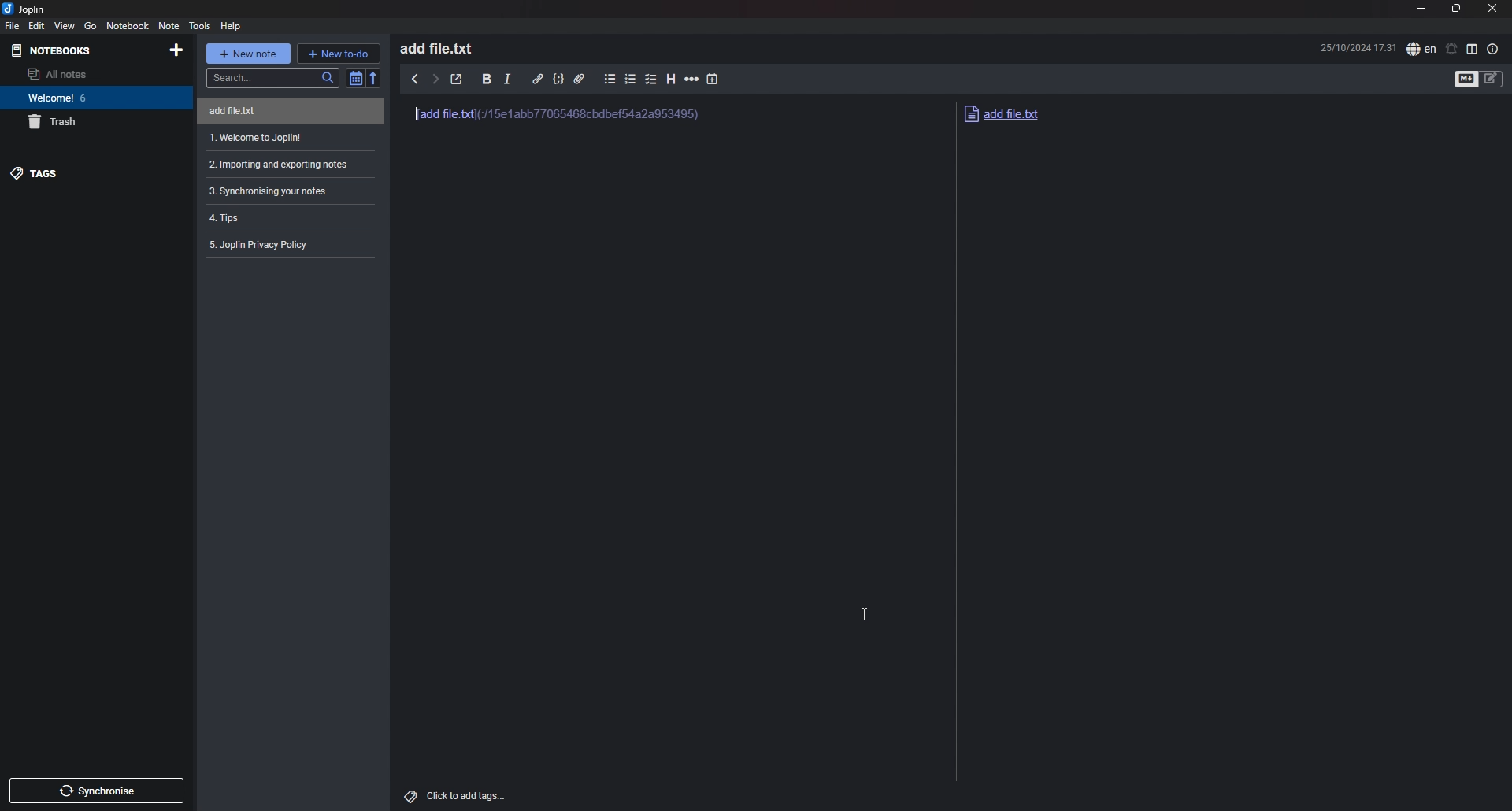 The height and width of the screenshot is (811, 1512). Describe the element at coordinates (457, 80) in the screenshot. I see `toggle external editing` at that location.